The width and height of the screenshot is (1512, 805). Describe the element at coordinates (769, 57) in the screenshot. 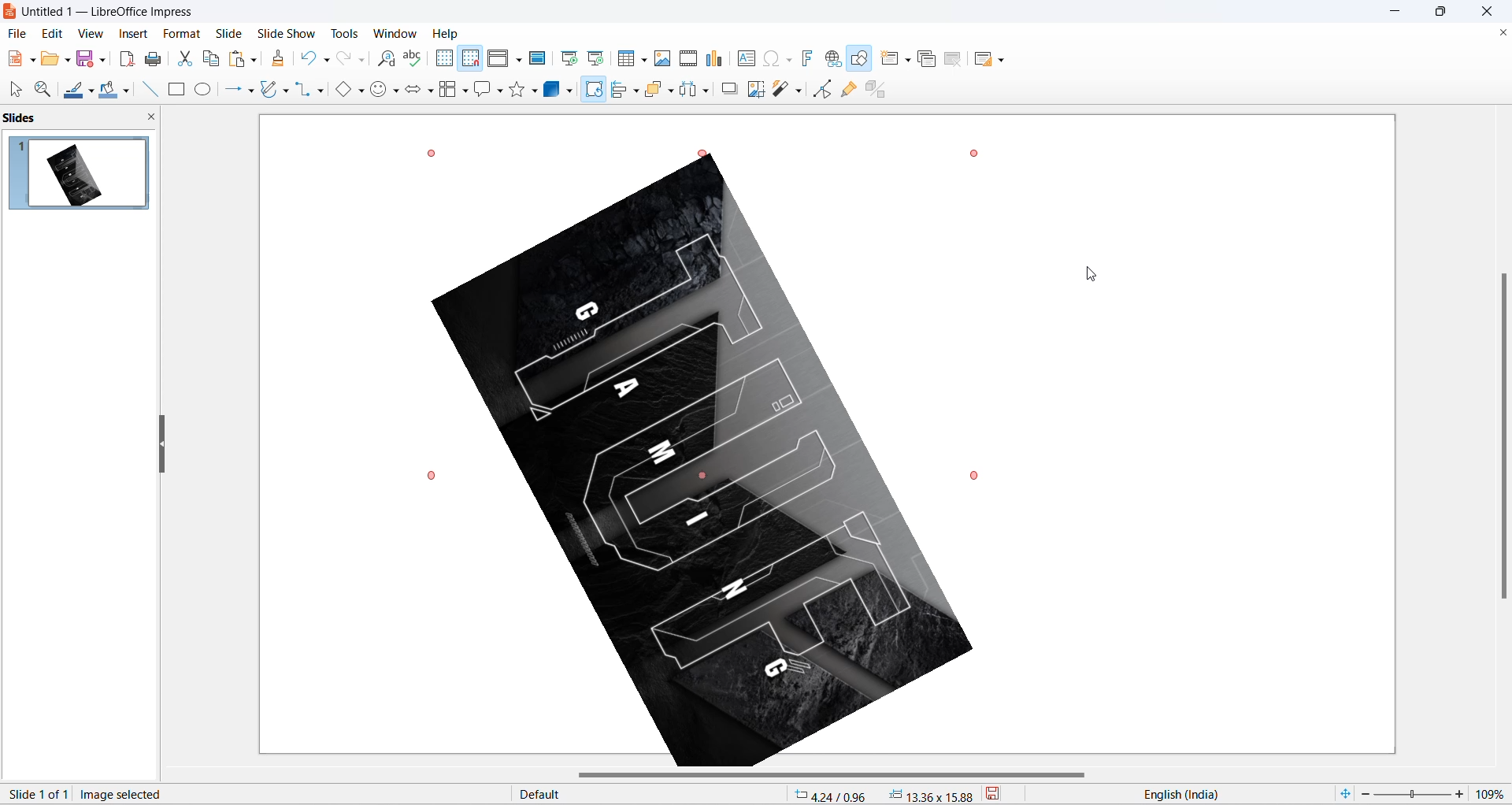

I see `insert special characters` at that location.